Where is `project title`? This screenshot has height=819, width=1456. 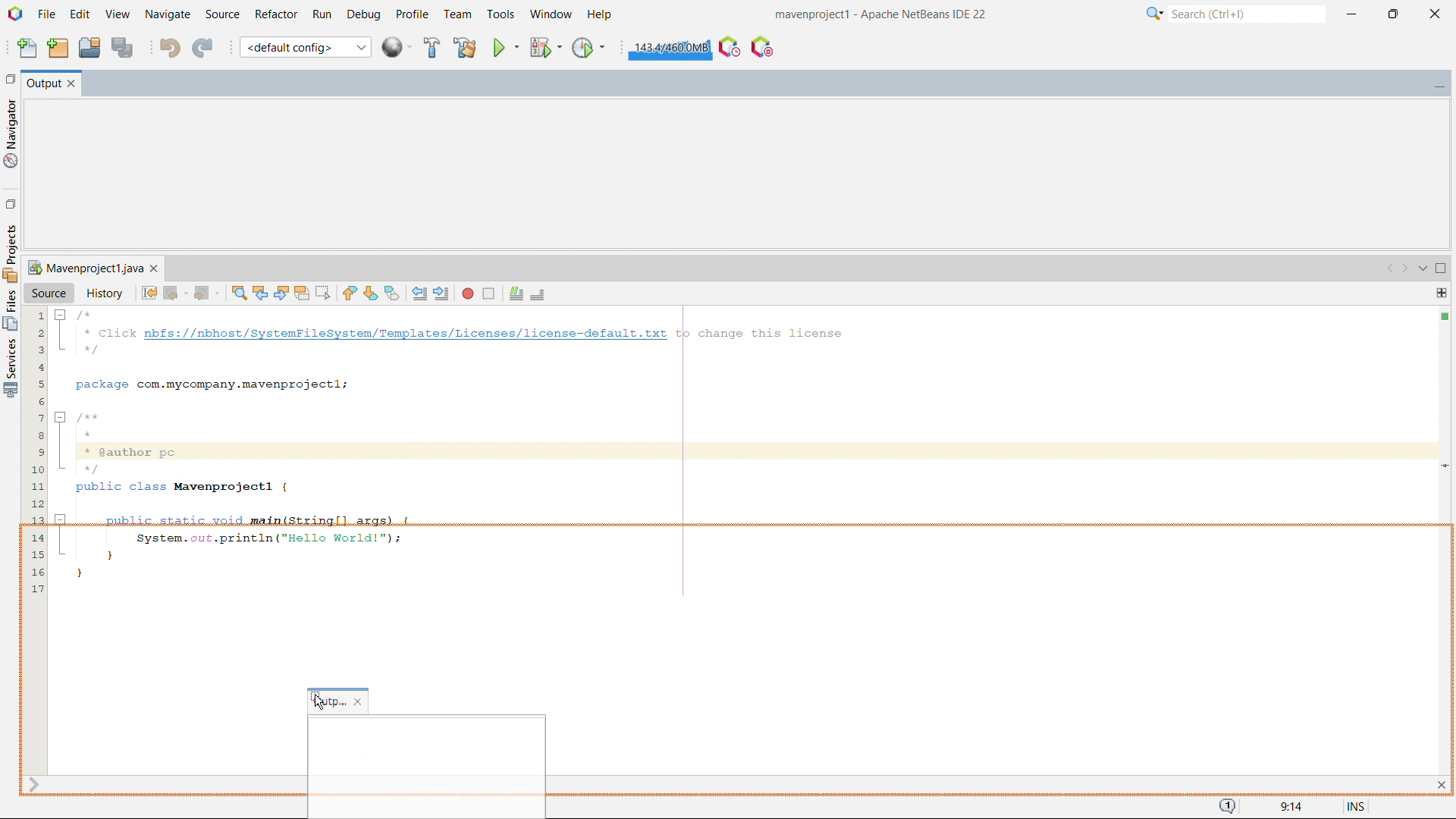 project title is located at coordinates (882, 14).